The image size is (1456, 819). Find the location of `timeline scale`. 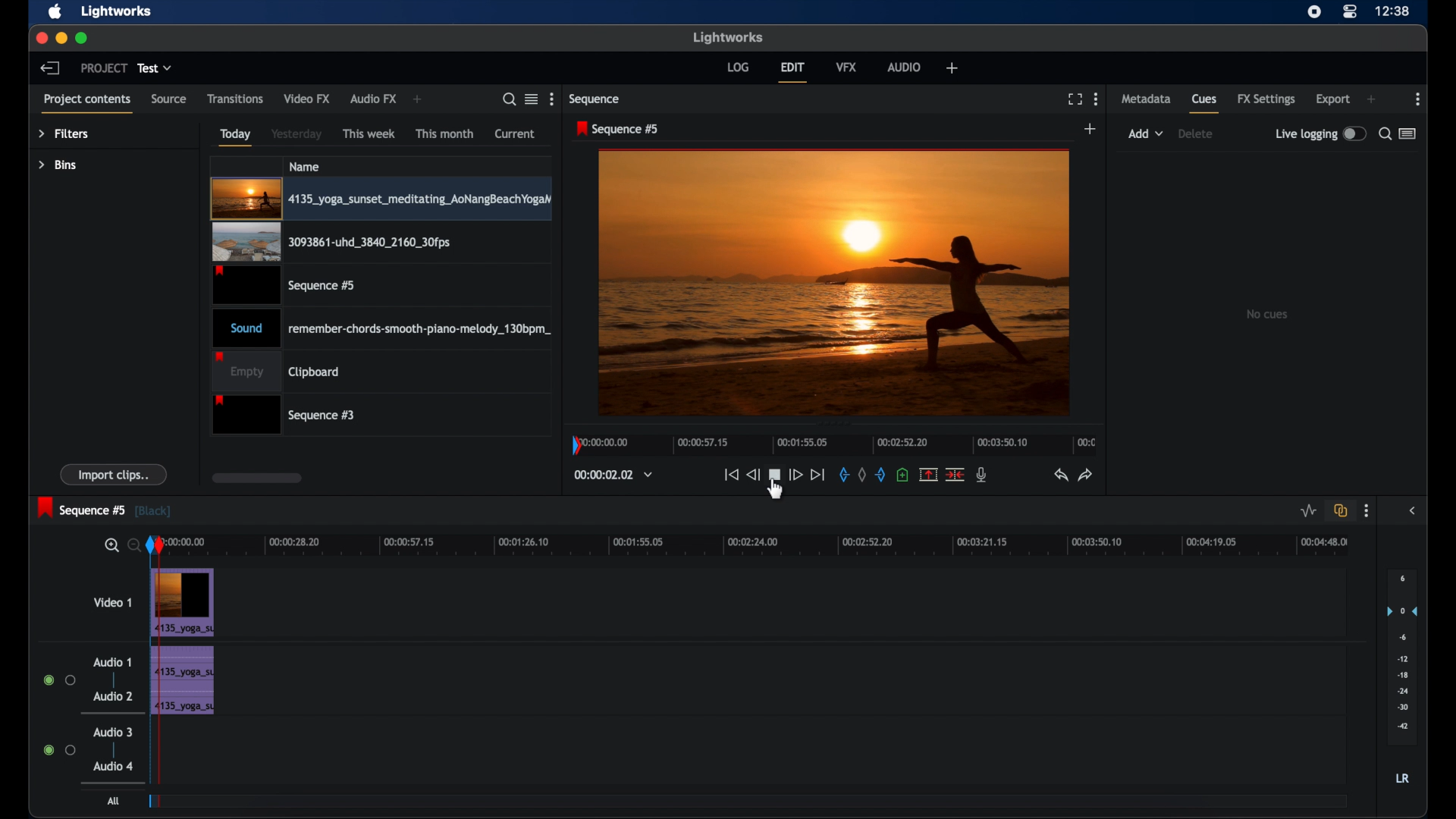

timeline scale is located at coordinates (798, 544).